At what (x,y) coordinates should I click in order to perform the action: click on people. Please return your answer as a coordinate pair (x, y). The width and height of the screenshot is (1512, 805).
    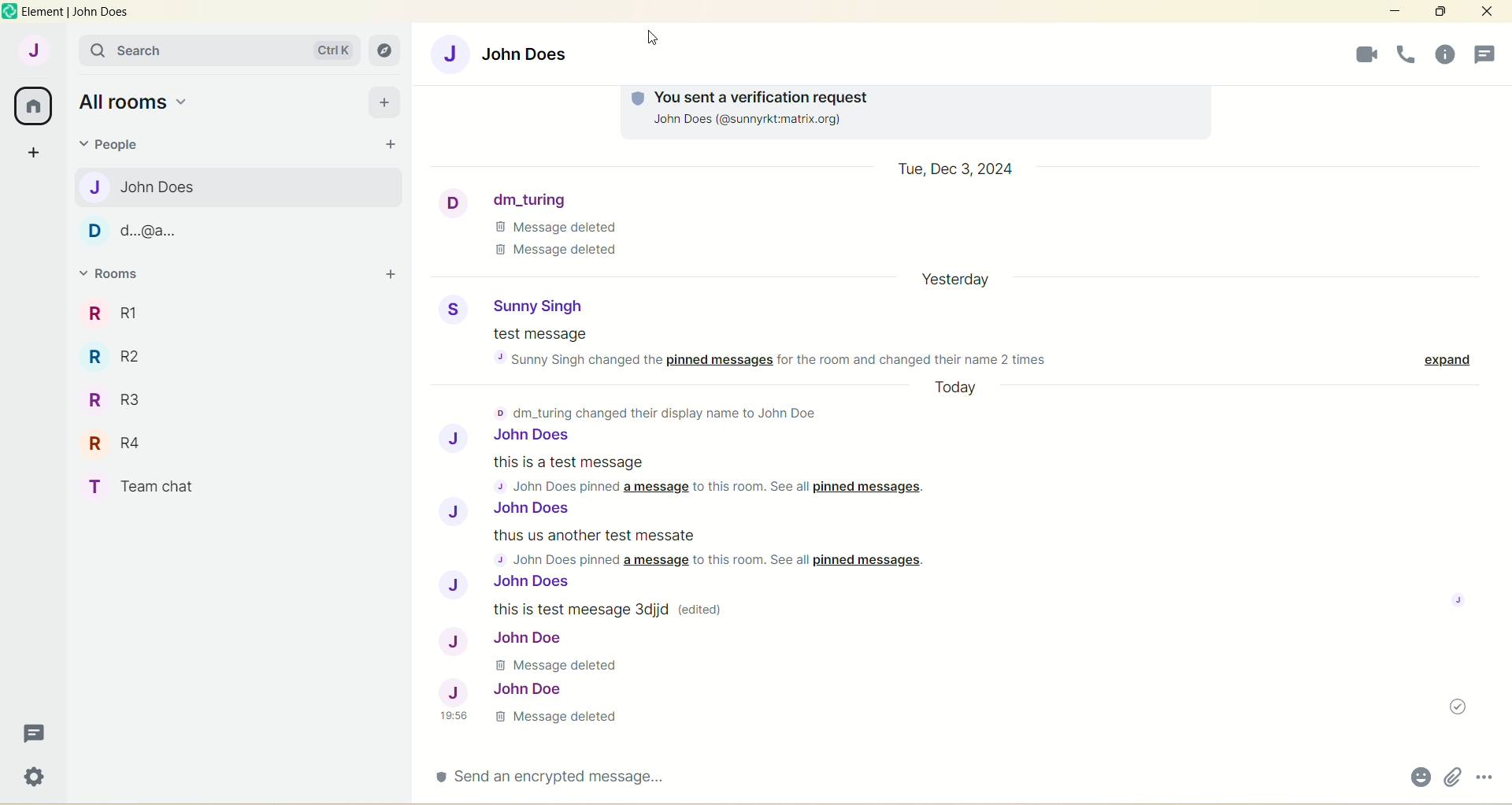
    Looking at the image, I should click on (1487, 53).